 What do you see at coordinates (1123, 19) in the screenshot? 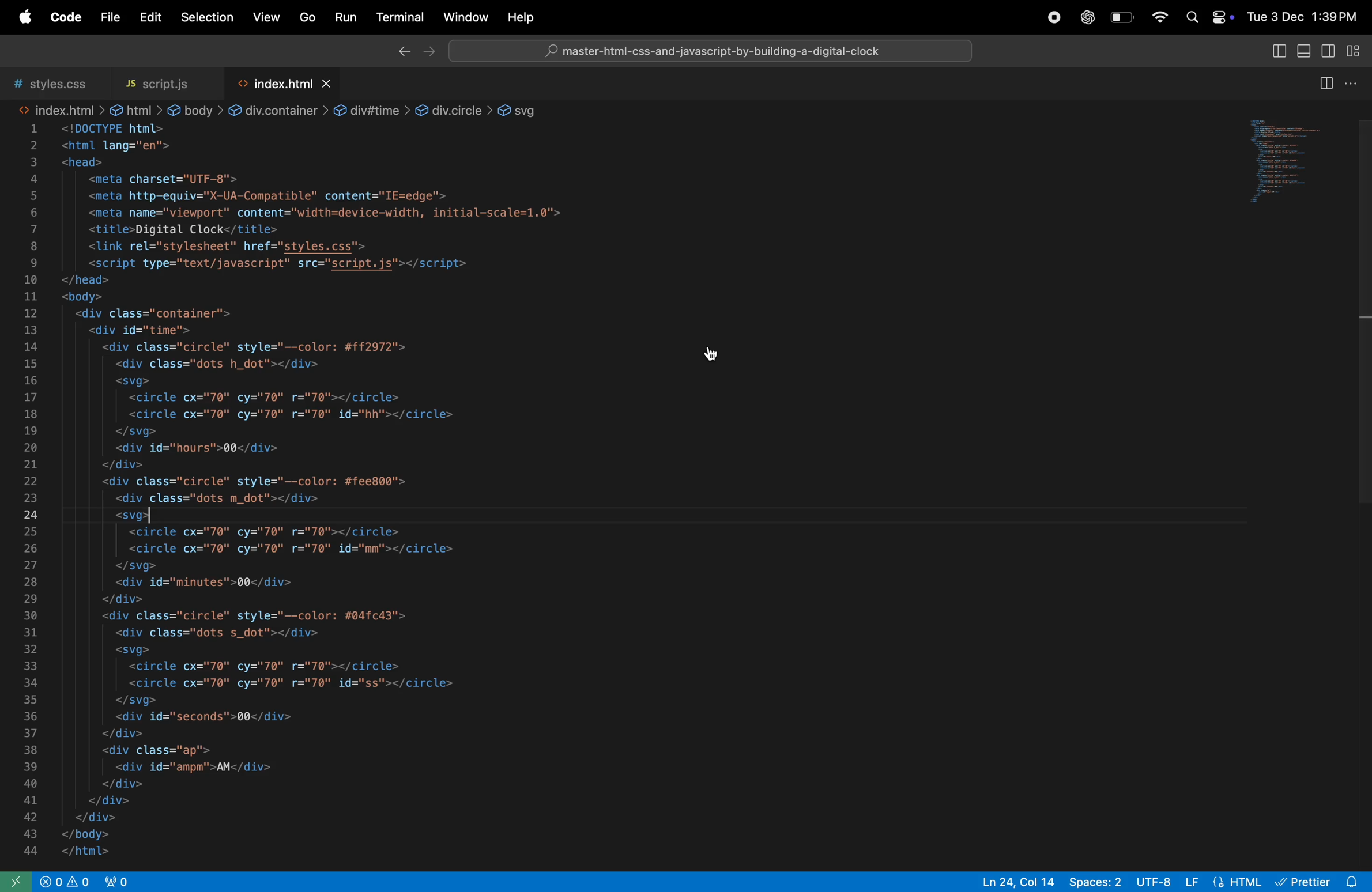
I see `battery` at bounding box center [1123, 19].